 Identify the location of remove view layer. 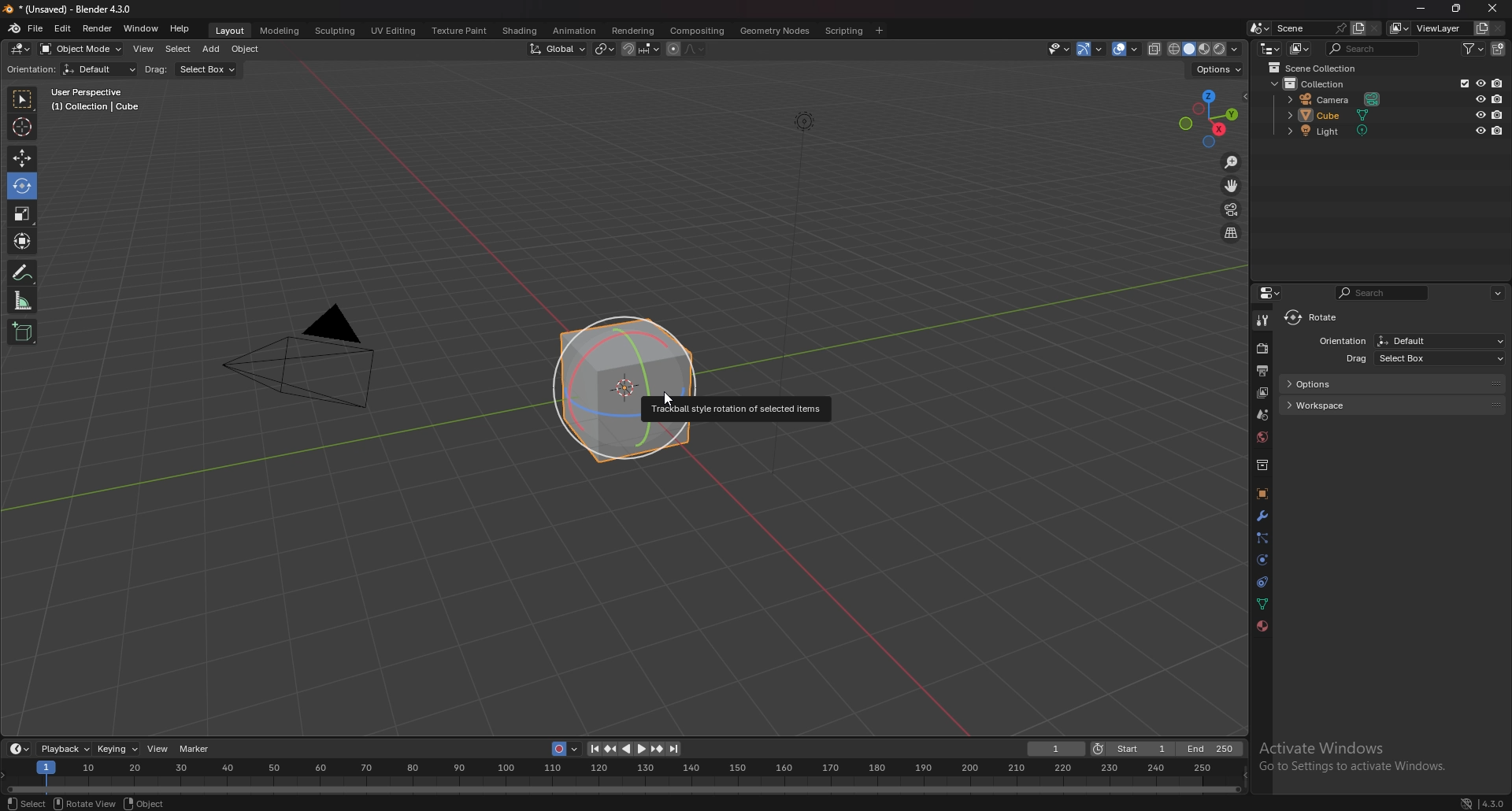
(1499, 28).